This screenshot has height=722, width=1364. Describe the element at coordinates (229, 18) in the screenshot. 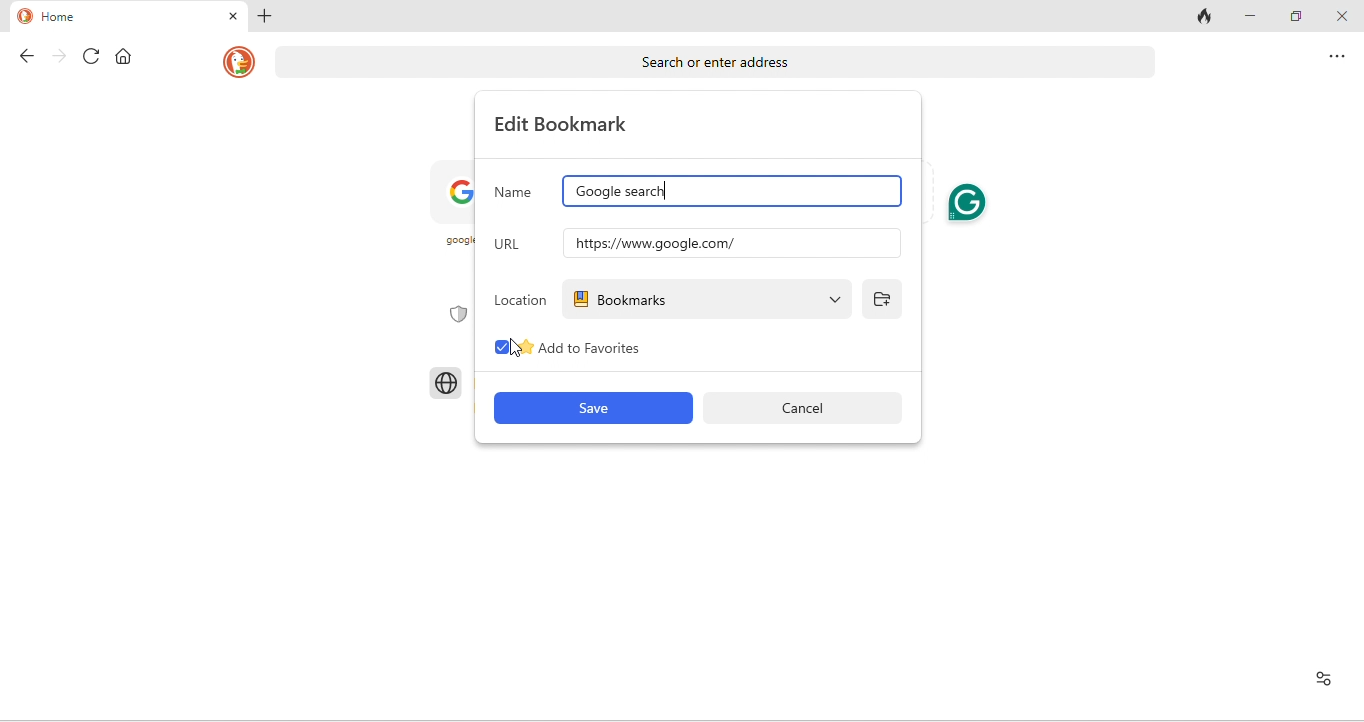

I see `close` at that location.